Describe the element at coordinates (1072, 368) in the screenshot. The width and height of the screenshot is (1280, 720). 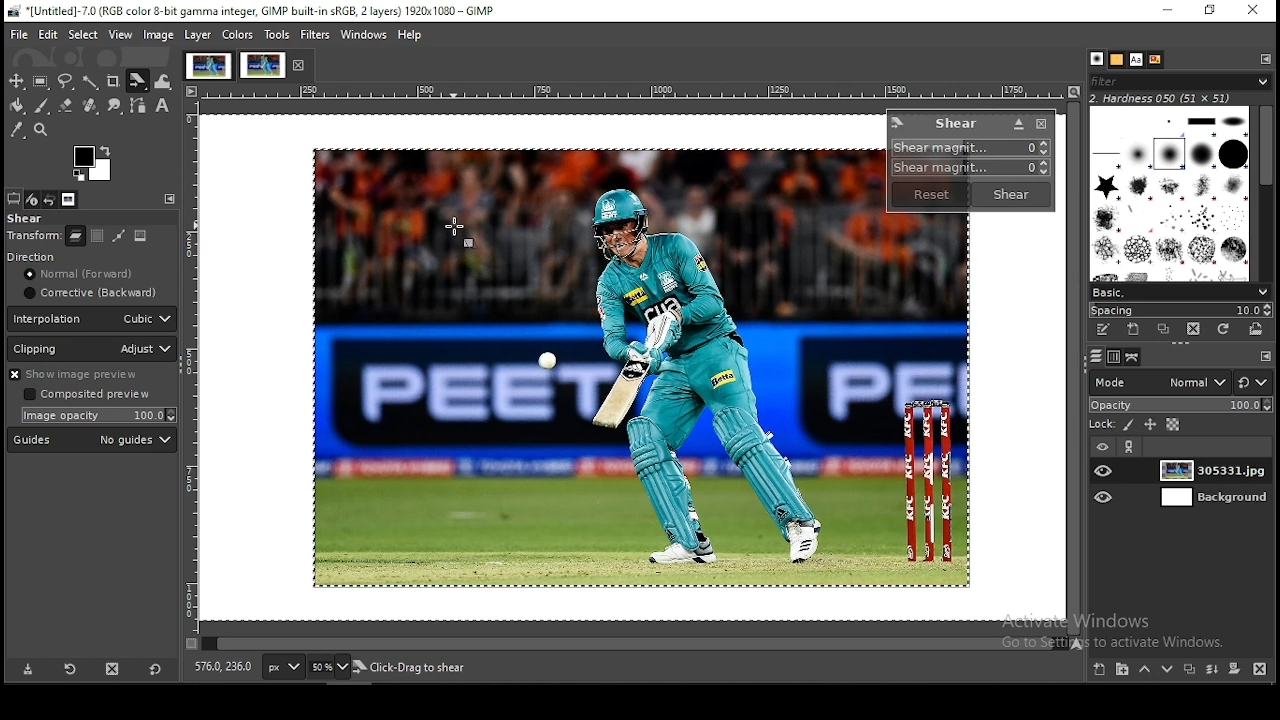
I see `scroll bar` at that location.